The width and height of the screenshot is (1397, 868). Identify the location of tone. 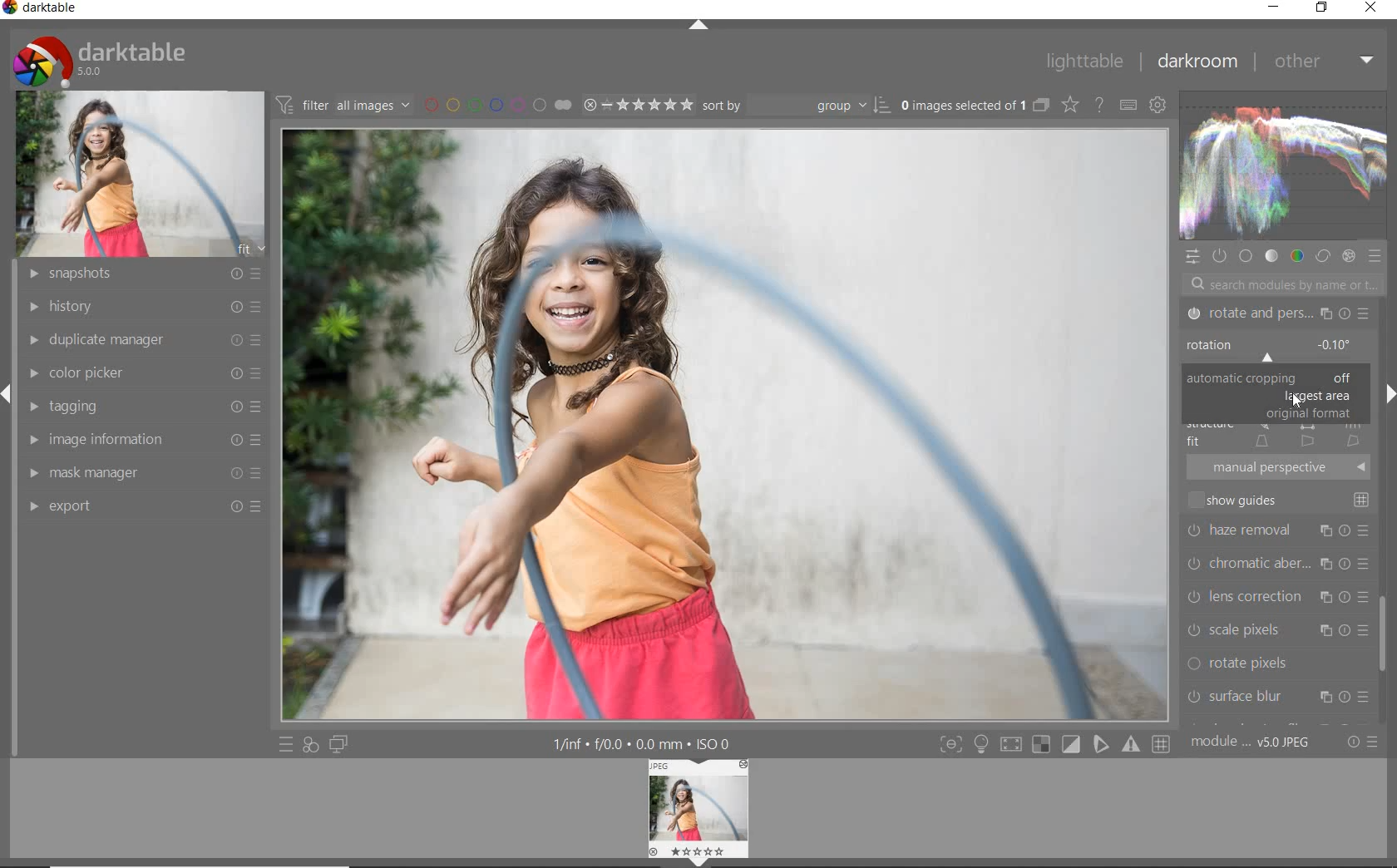
(1271, 256).